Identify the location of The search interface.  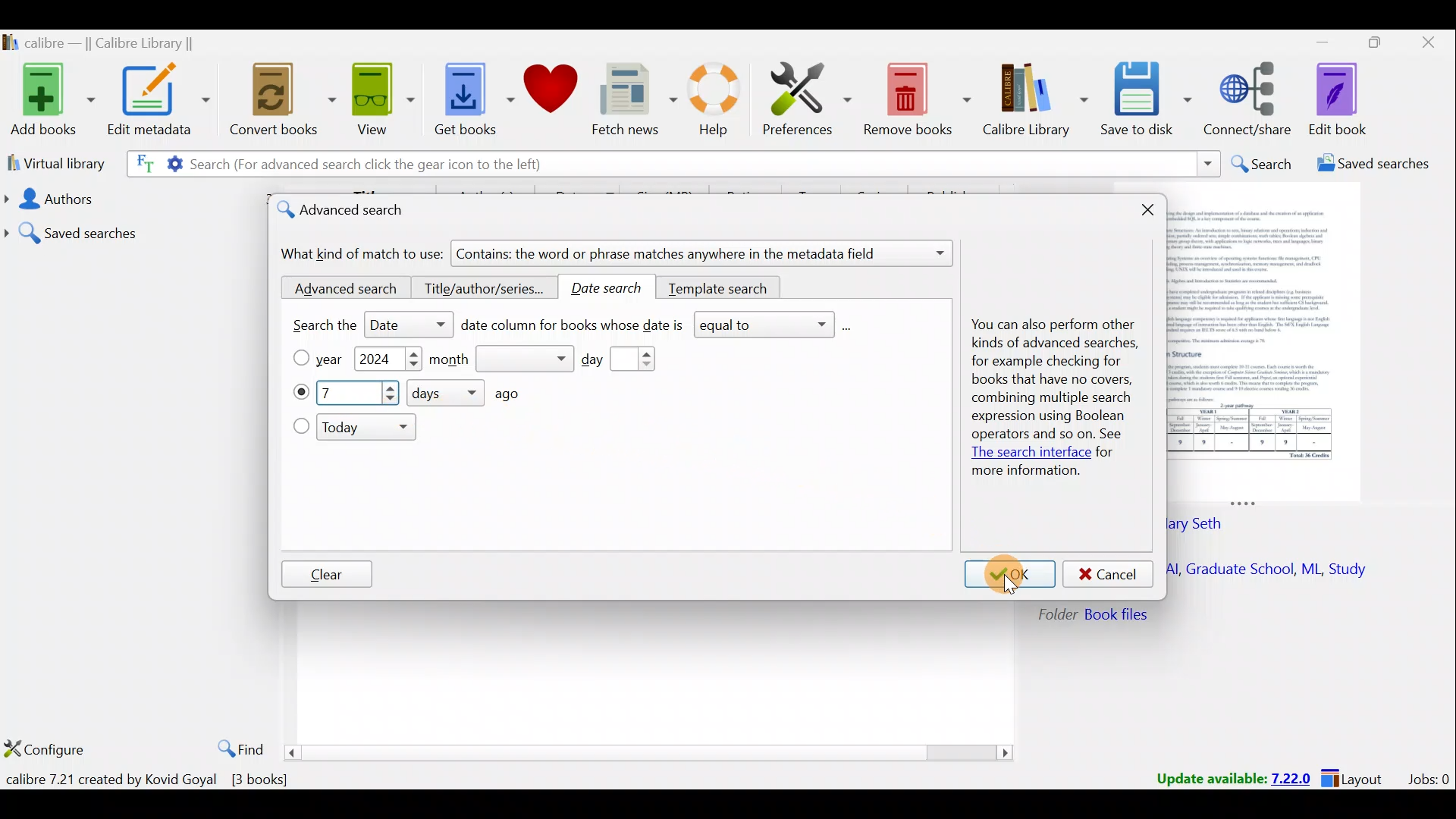
(1028, 454).